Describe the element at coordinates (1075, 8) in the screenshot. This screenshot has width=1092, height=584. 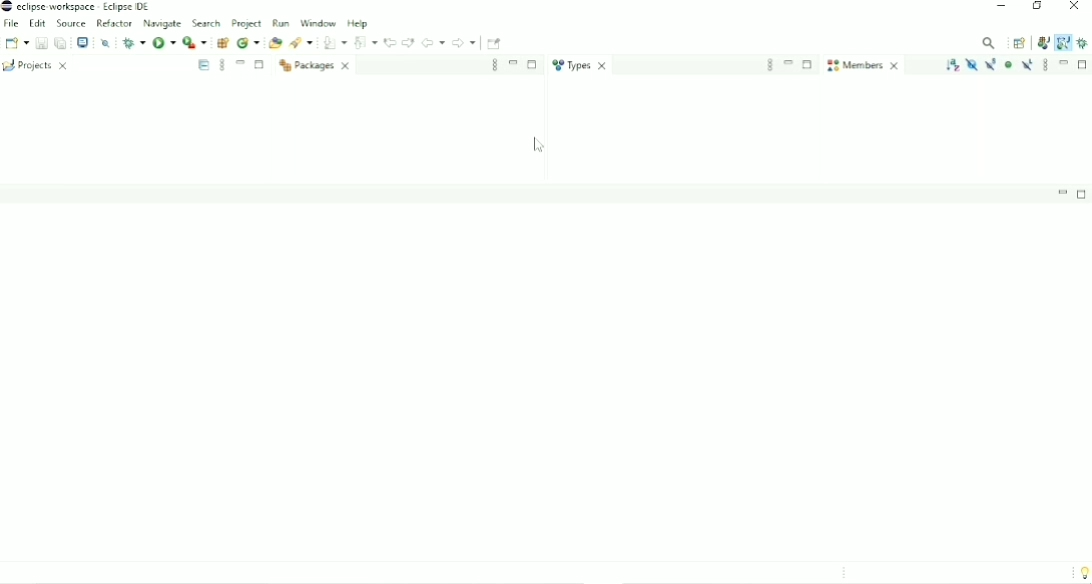
I see `Close` at that location.